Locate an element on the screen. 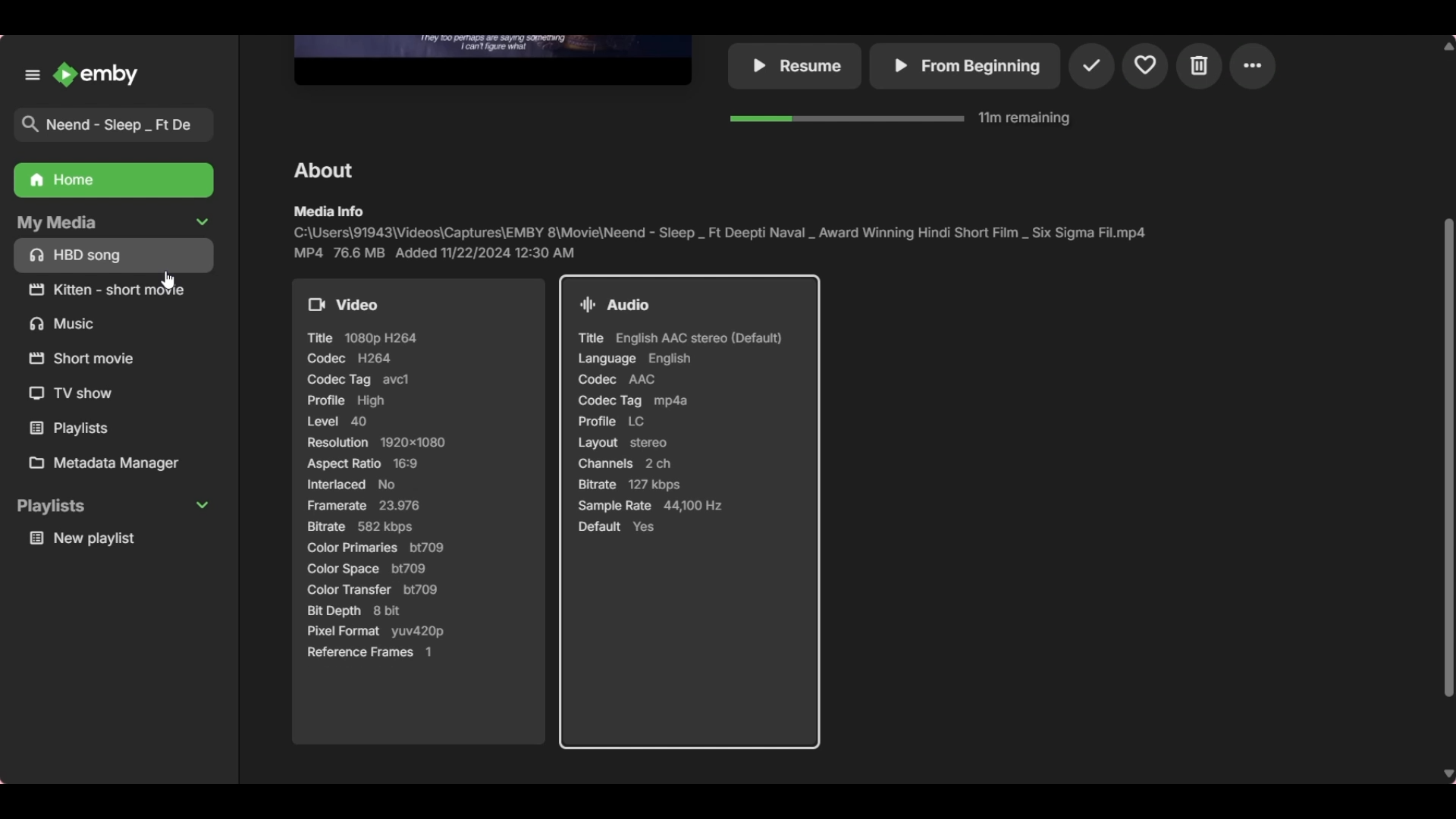 The width and height of the screenshot is (1456, 819). Collapse My Media is located at coordinates (111, 222).